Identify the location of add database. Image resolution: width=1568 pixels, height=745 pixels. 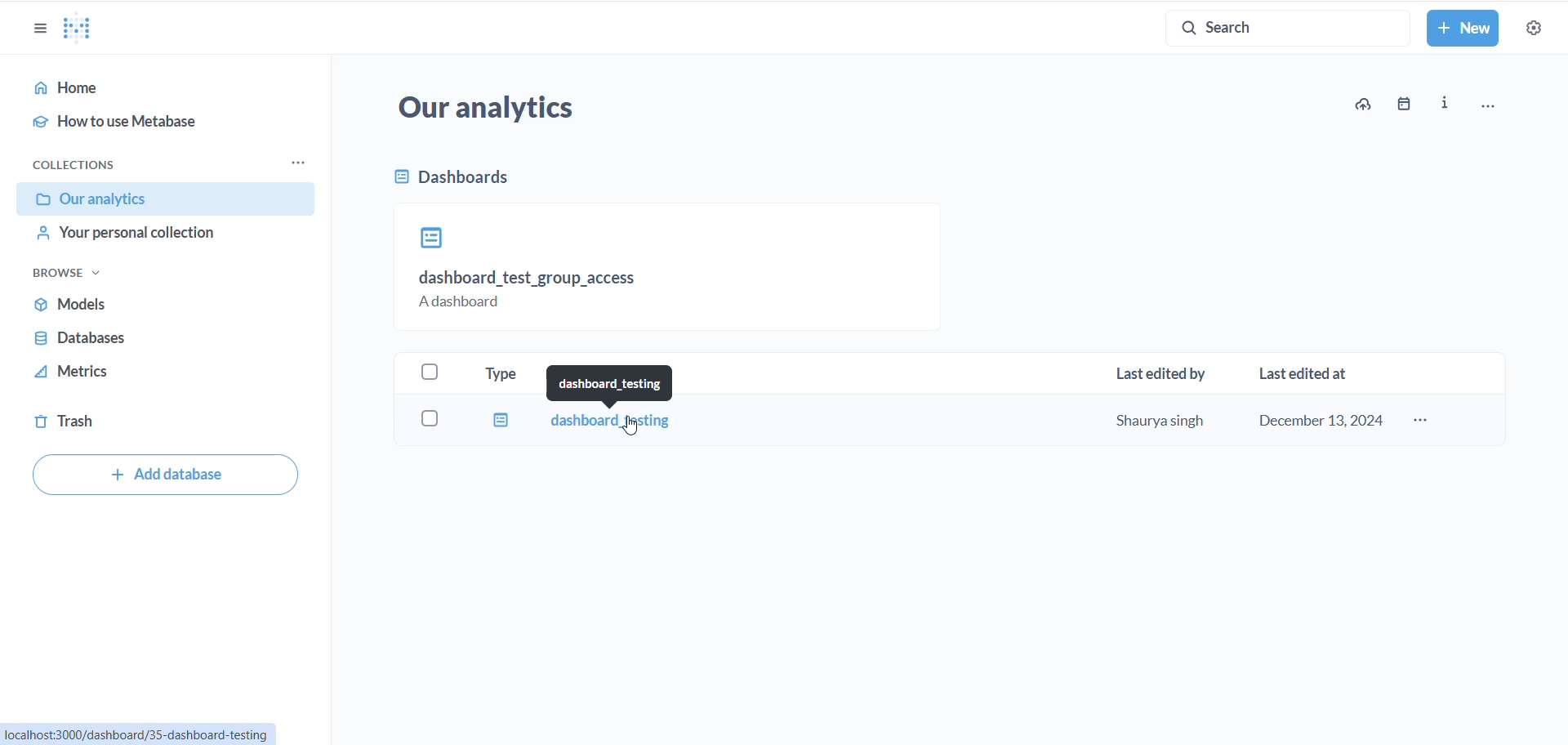
(163, 474).